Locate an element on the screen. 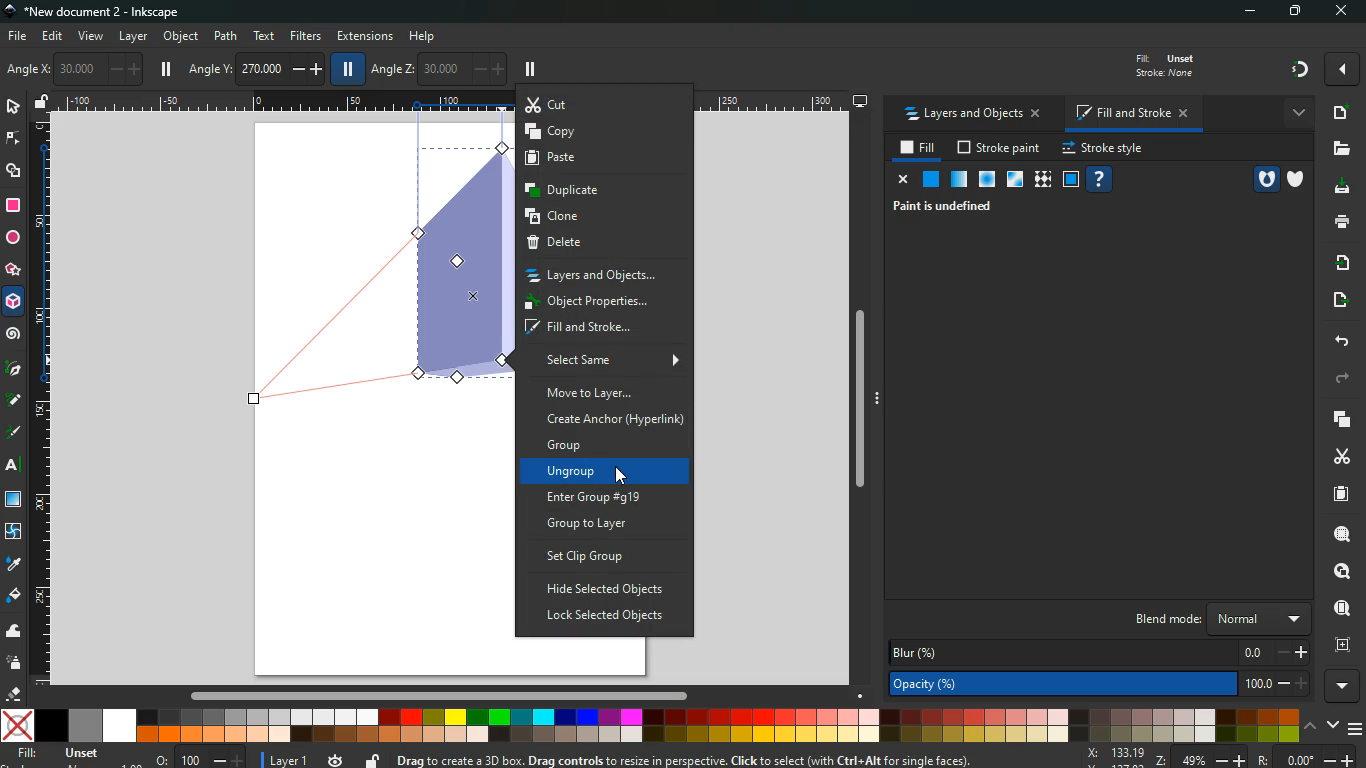 This screenshot has height=768, width=1366. frame is located at coordinates (1071, 180).